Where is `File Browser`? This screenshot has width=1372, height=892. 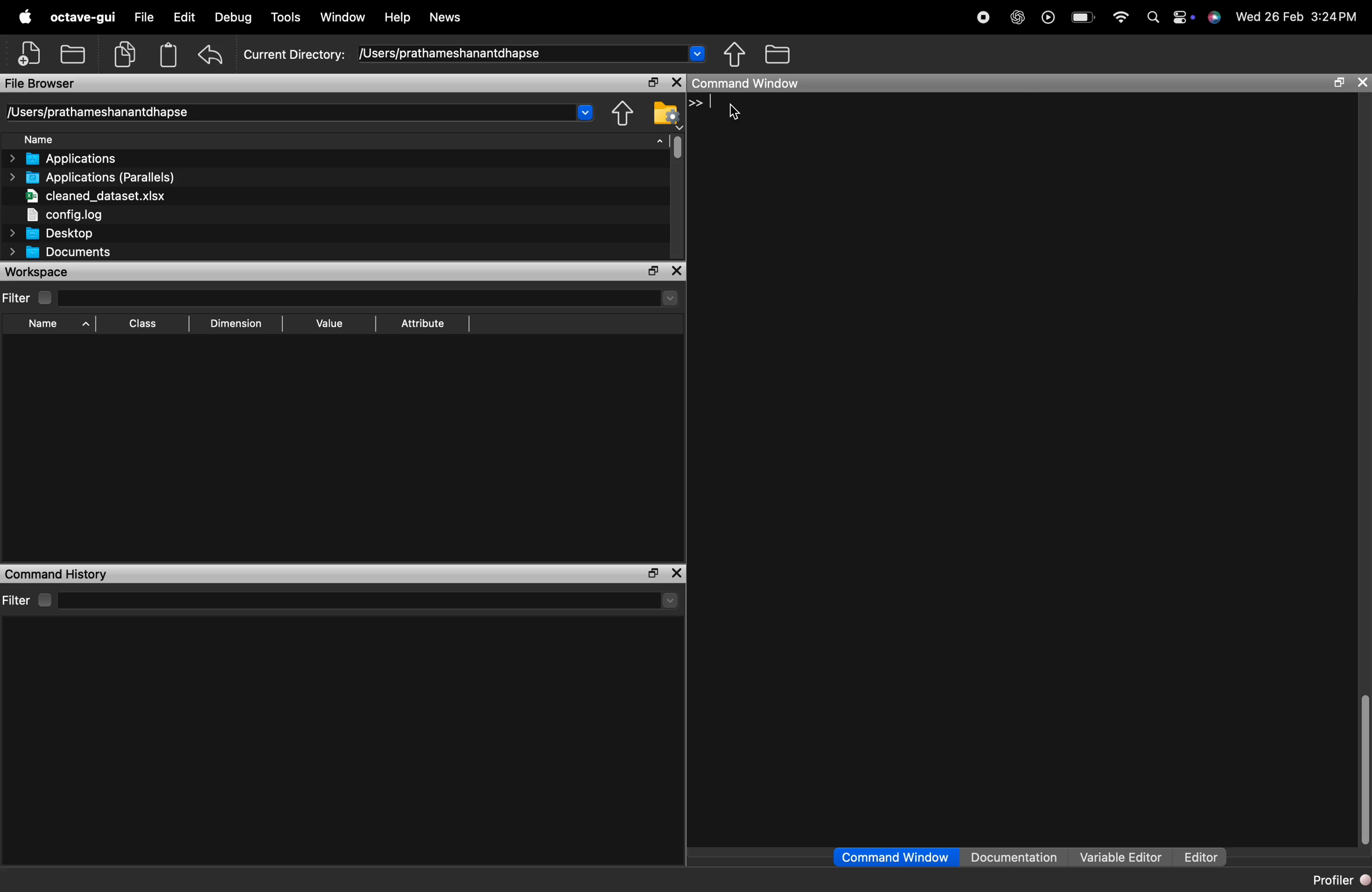 File Browser is located at coordinates (47, 82).